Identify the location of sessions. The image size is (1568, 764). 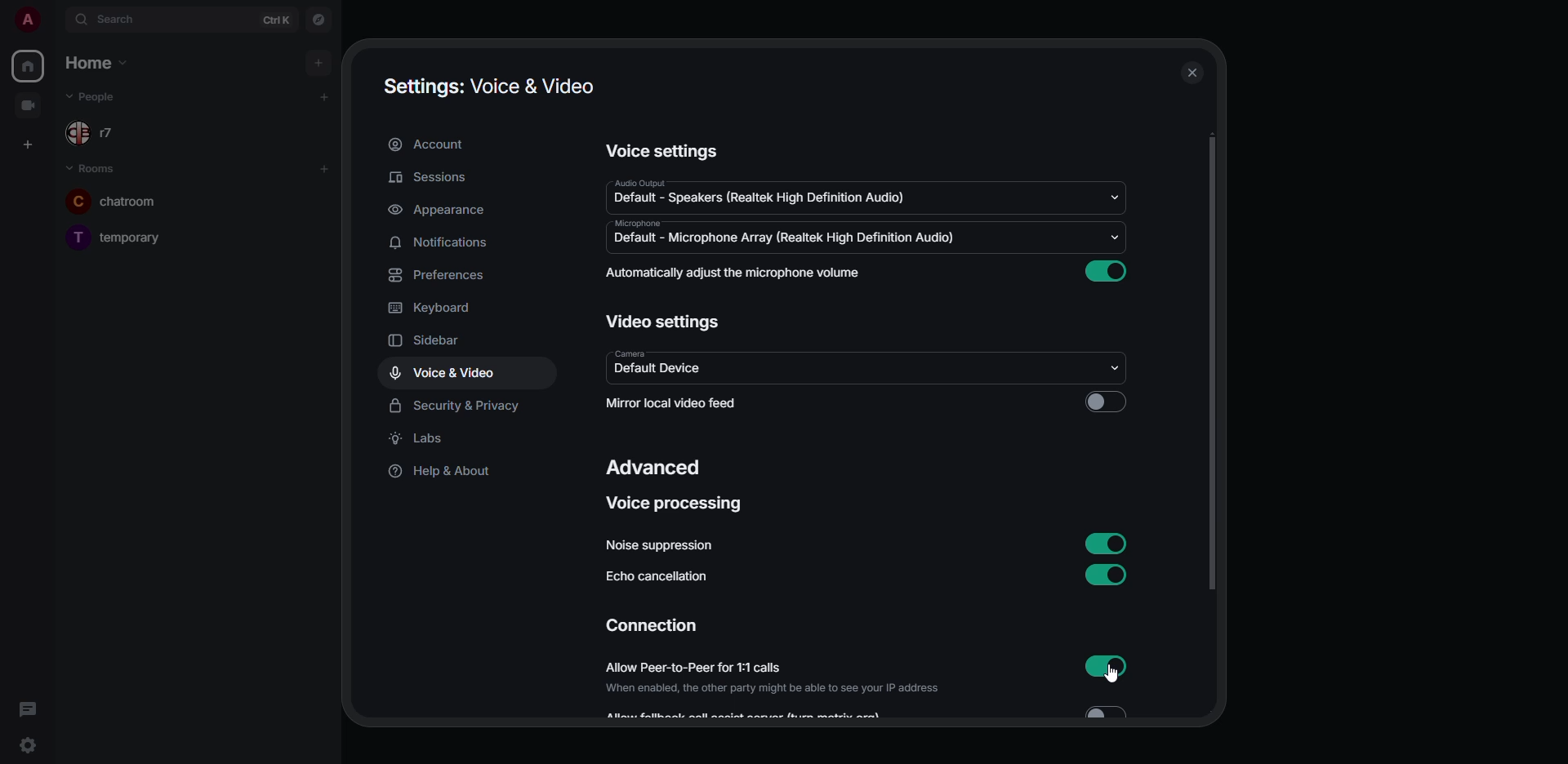
(431, 179).